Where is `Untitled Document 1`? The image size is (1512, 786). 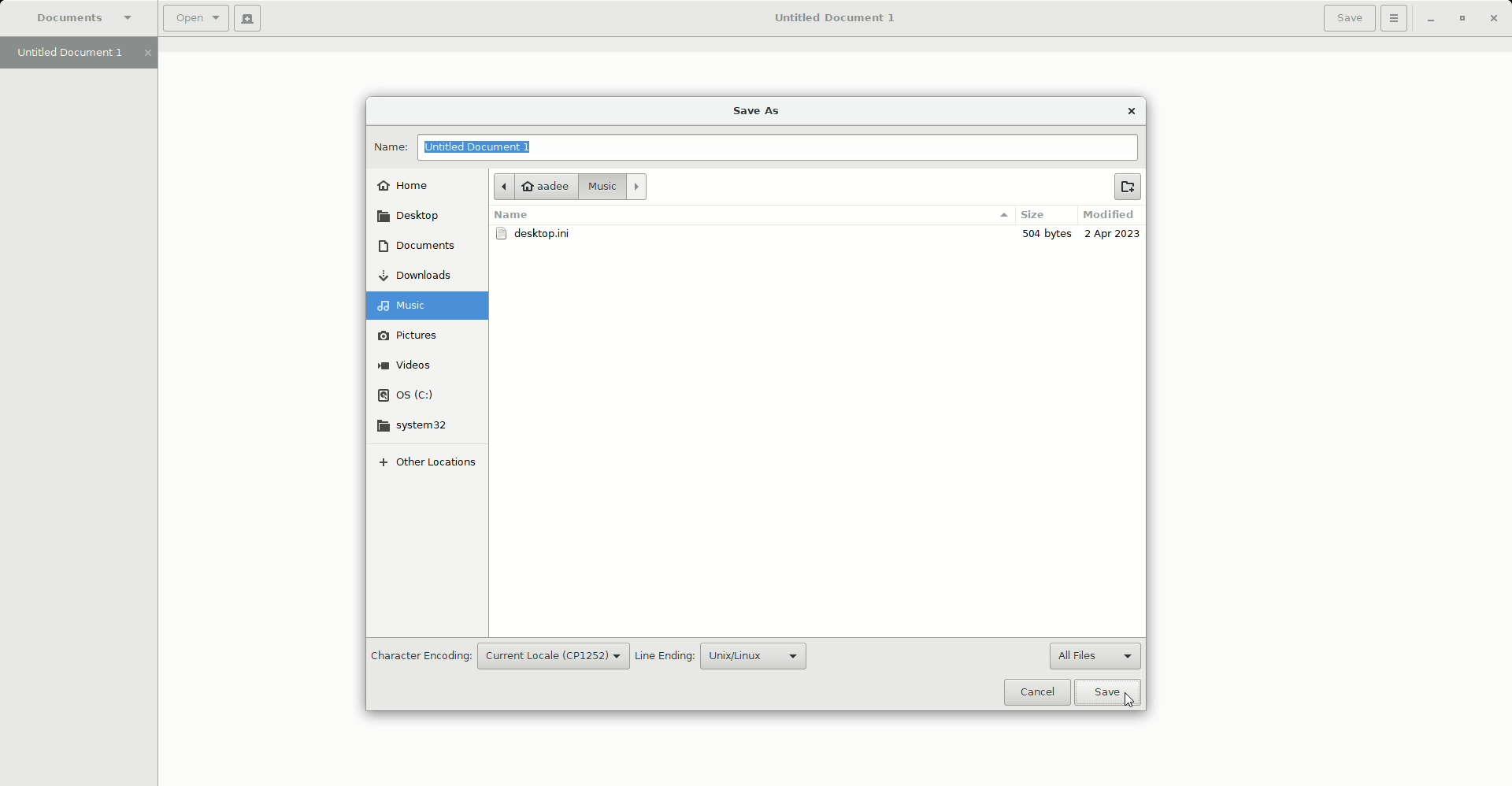 Untitled Document 1 is located at coordinates (835, 19).